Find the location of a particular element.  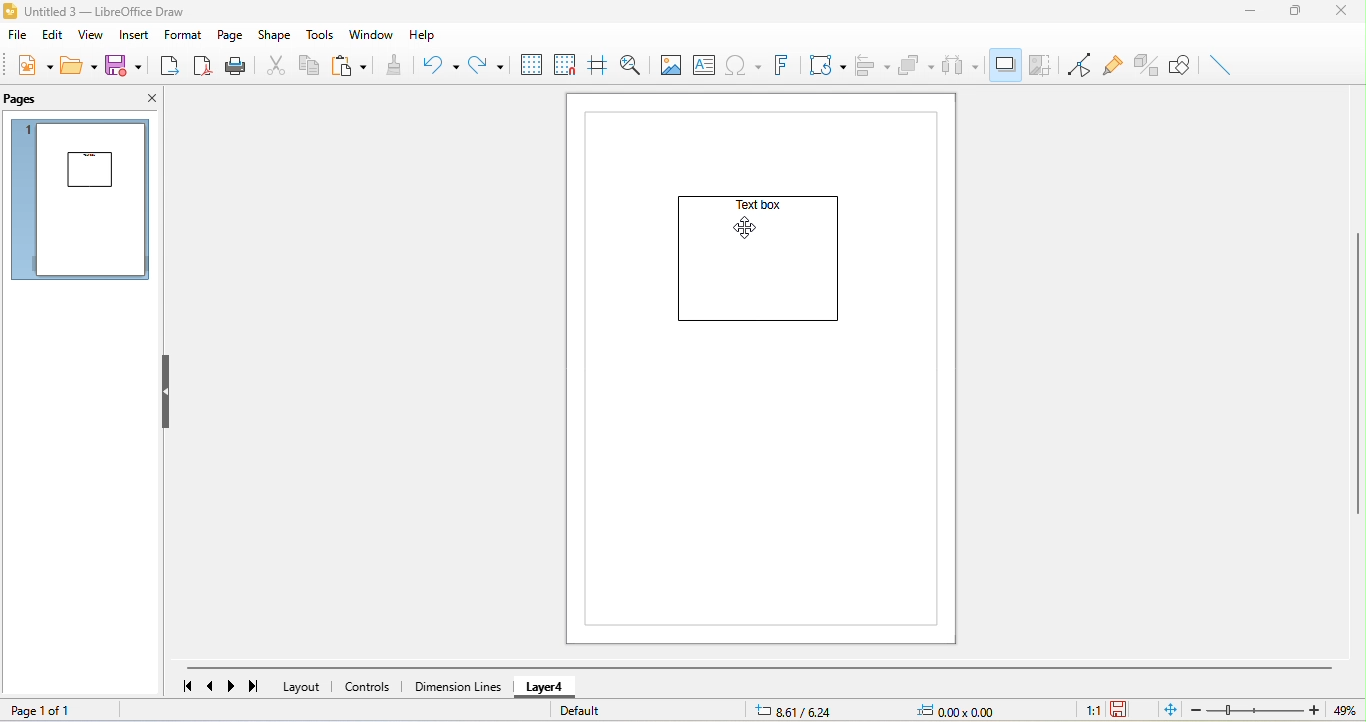

export directly as pdf is located at coordinates (204, 68).